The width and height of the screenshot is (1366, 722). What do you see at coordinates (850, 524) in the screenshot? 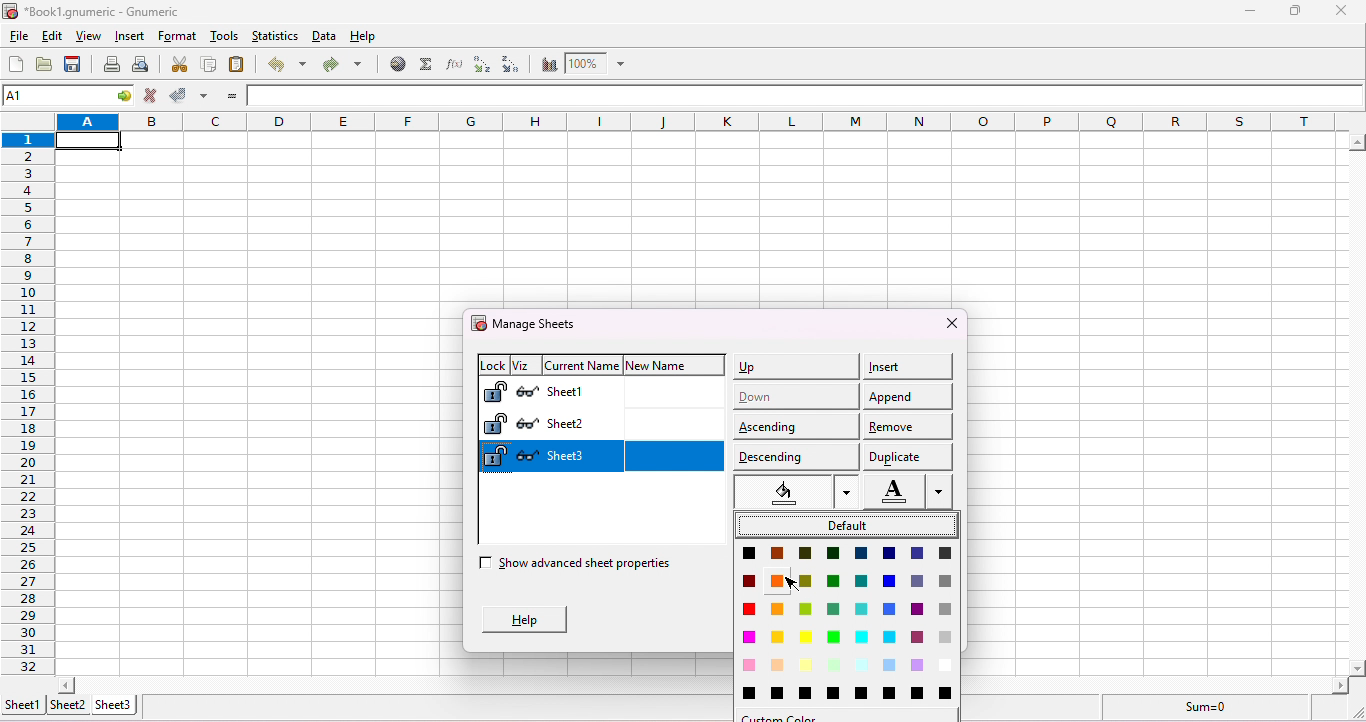
I see `default` at bounding box center [850, 524].